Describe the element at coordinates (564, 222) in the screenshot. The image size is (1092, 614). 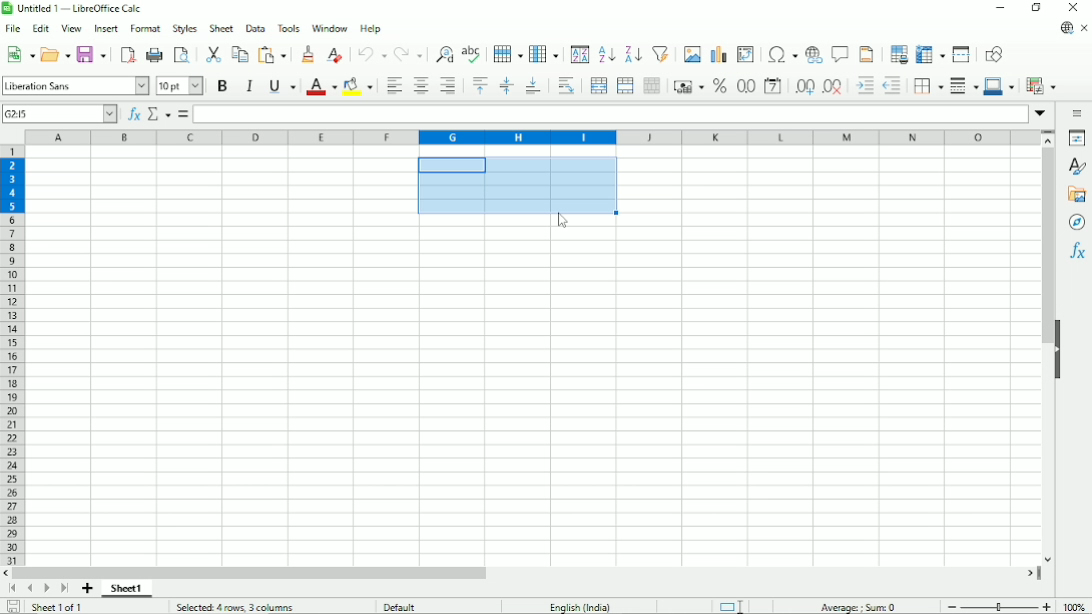
I see `cursor` at that location.